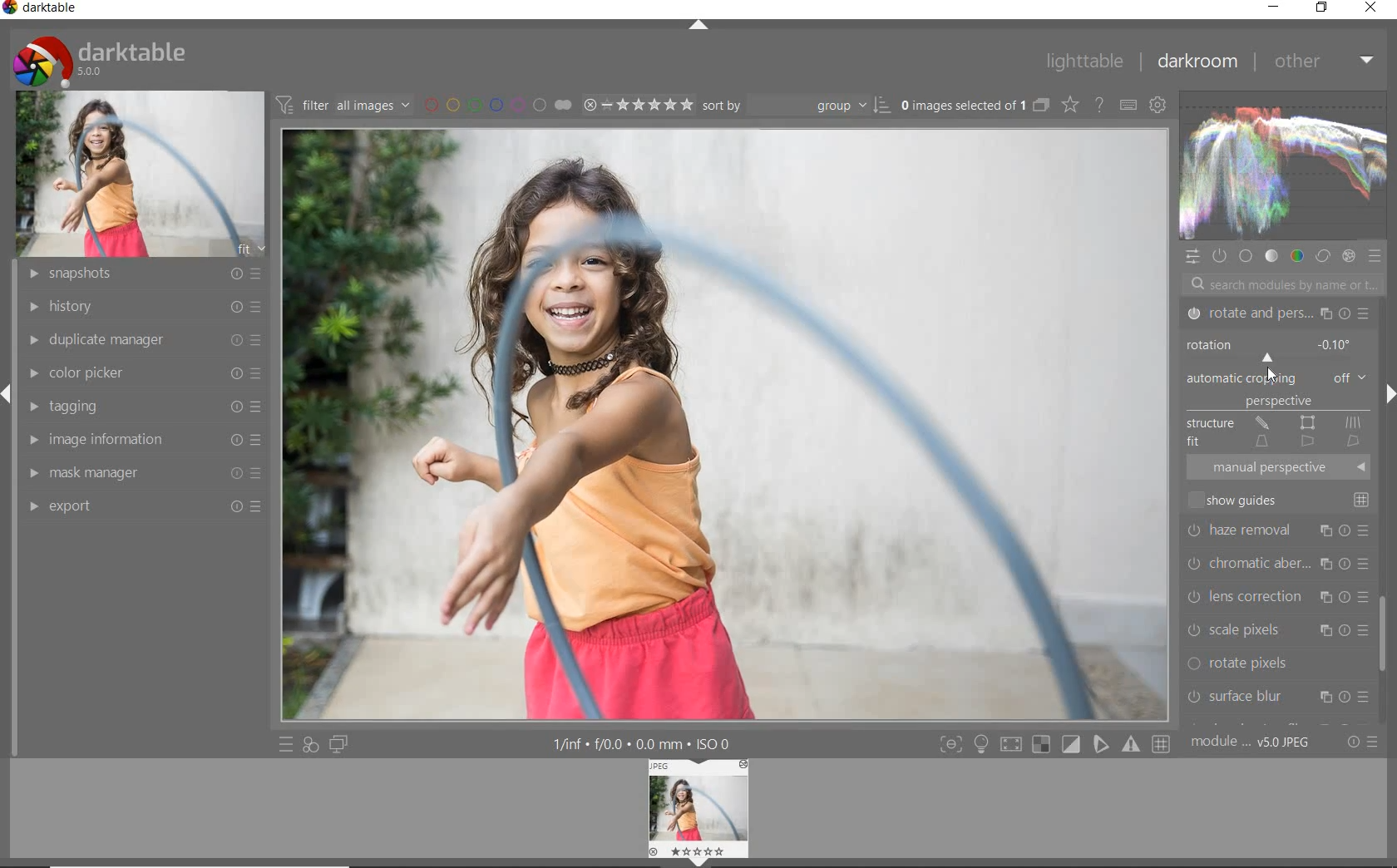 Image resolution: width=1397 pixels, height=868 pixels. What do you see at coordinates (146, 306) in the screenshot?
I see `history` at bounding box center [146, 306].